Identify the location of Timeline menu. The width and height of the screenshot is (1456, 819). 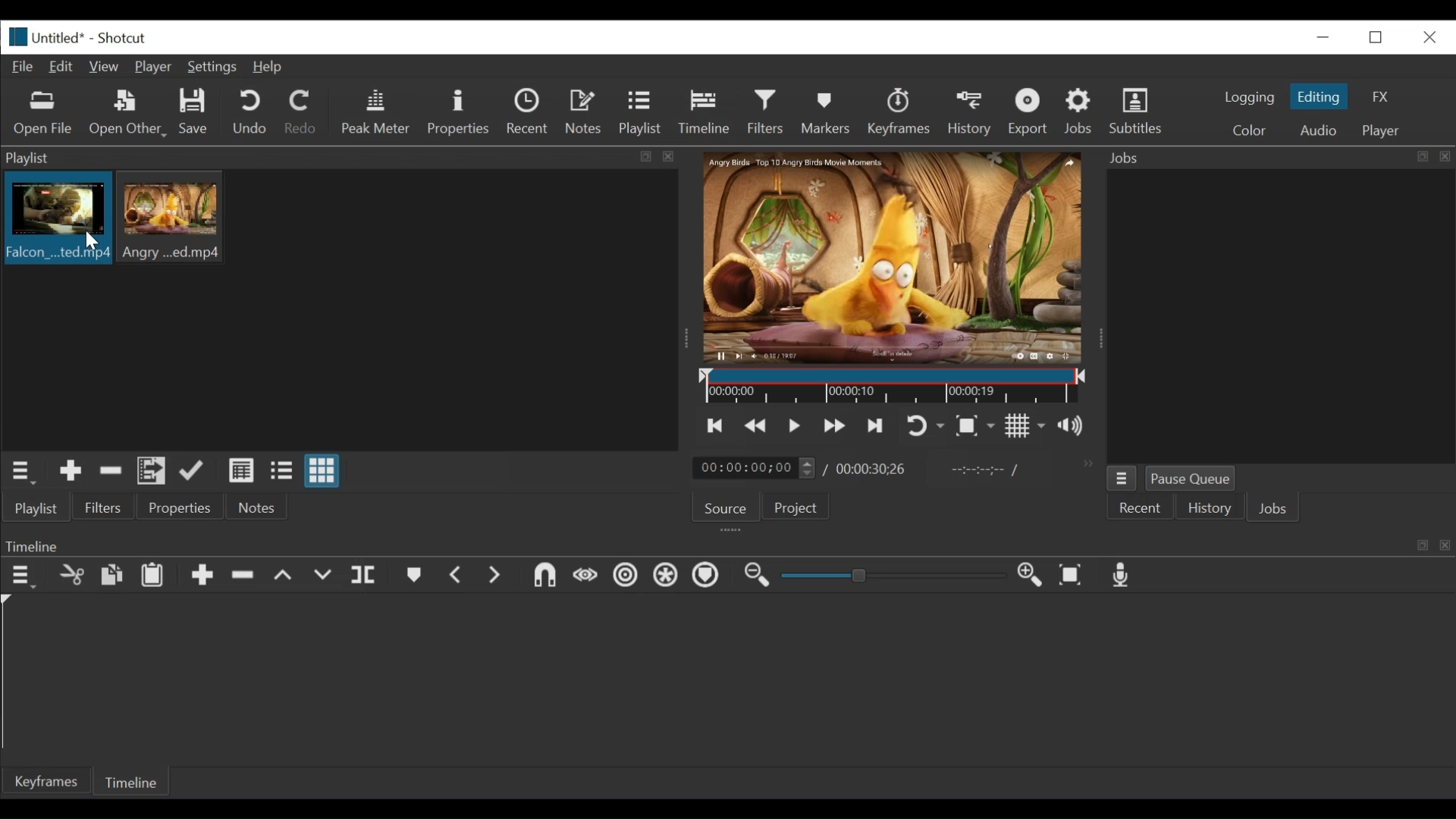
(25, 576).